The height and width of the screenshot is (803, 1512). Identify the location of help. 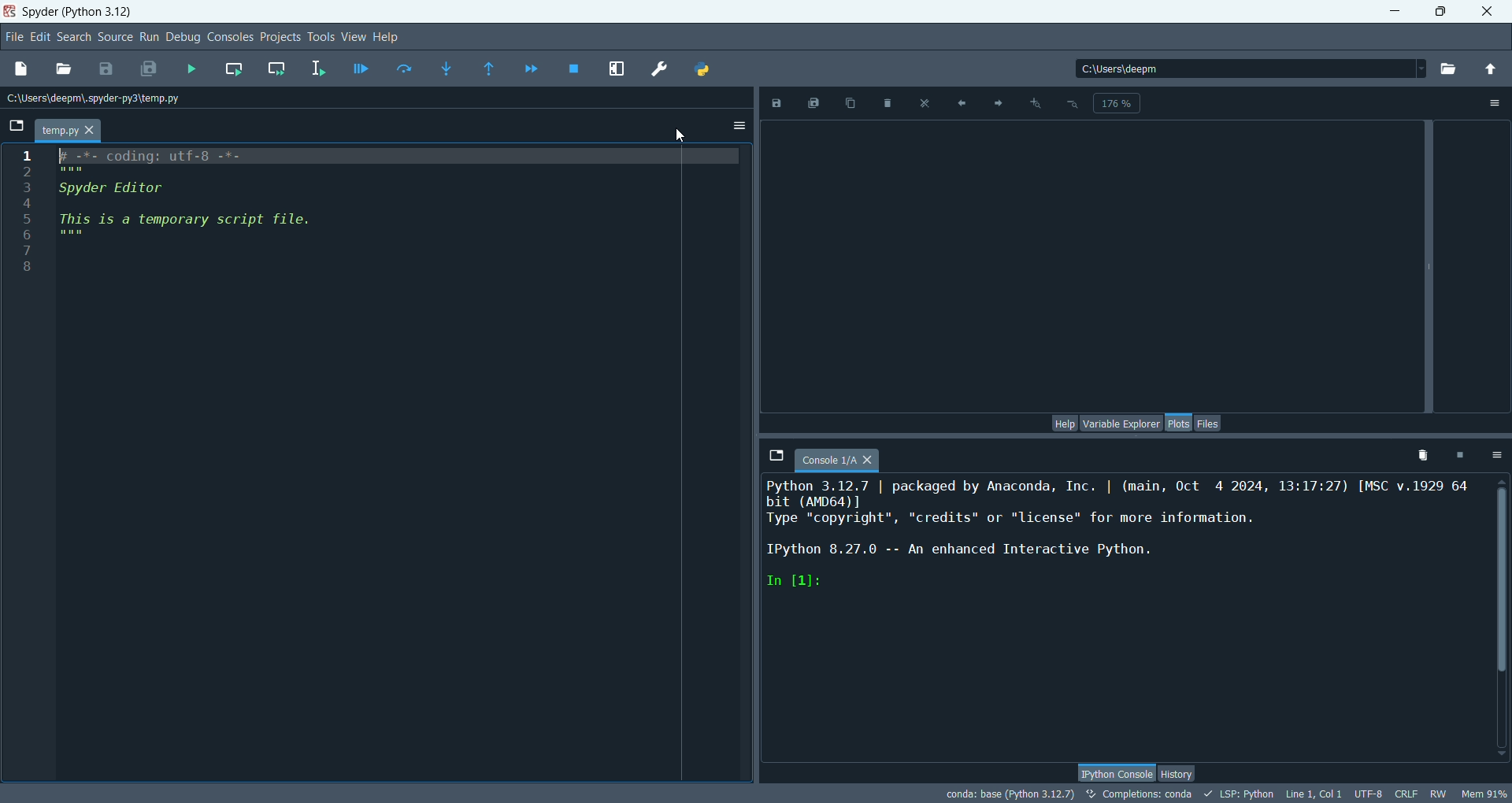
(387, 37).